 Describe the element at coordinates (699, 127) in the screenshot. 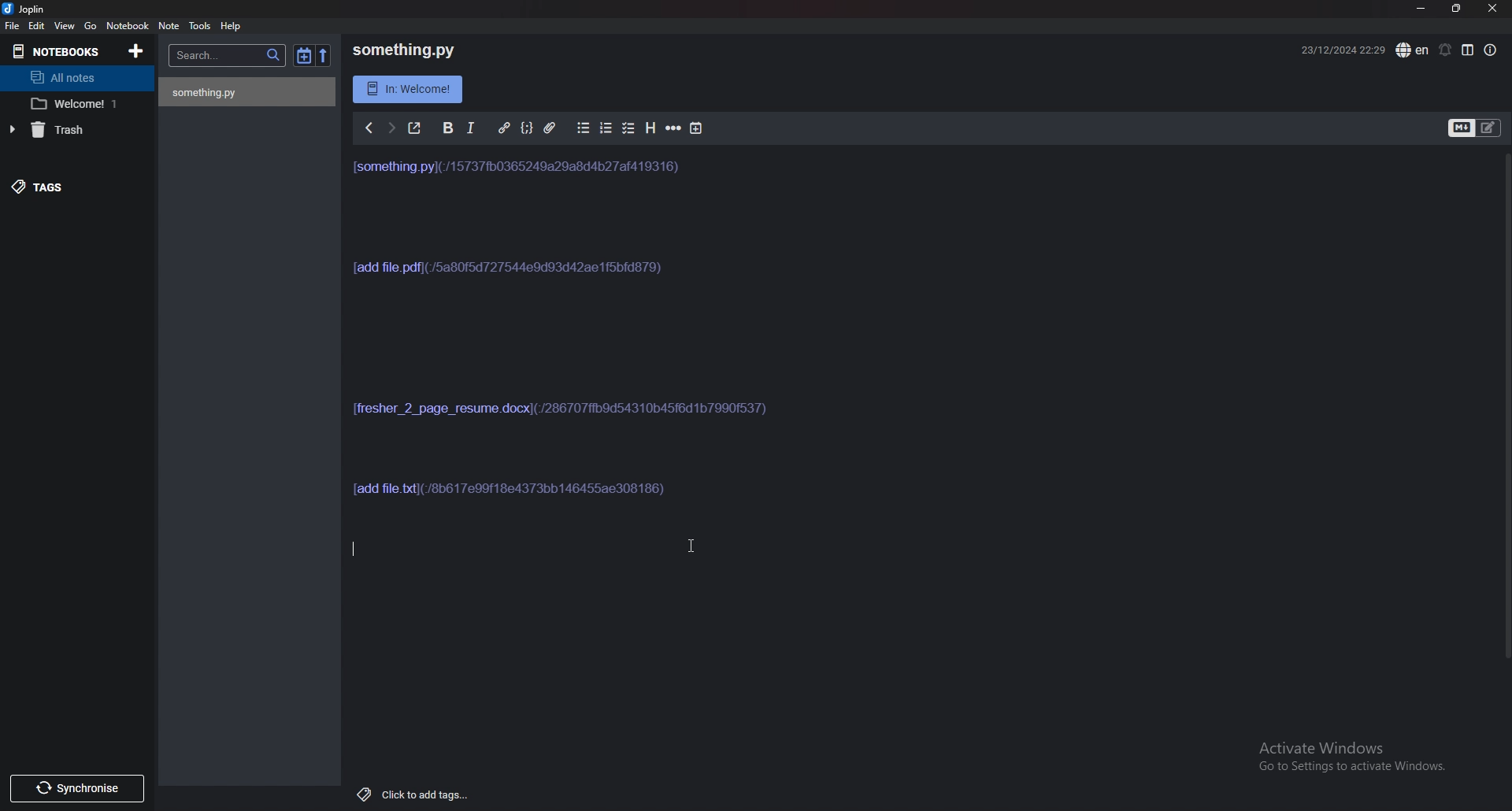

I see `Add time` at that location.